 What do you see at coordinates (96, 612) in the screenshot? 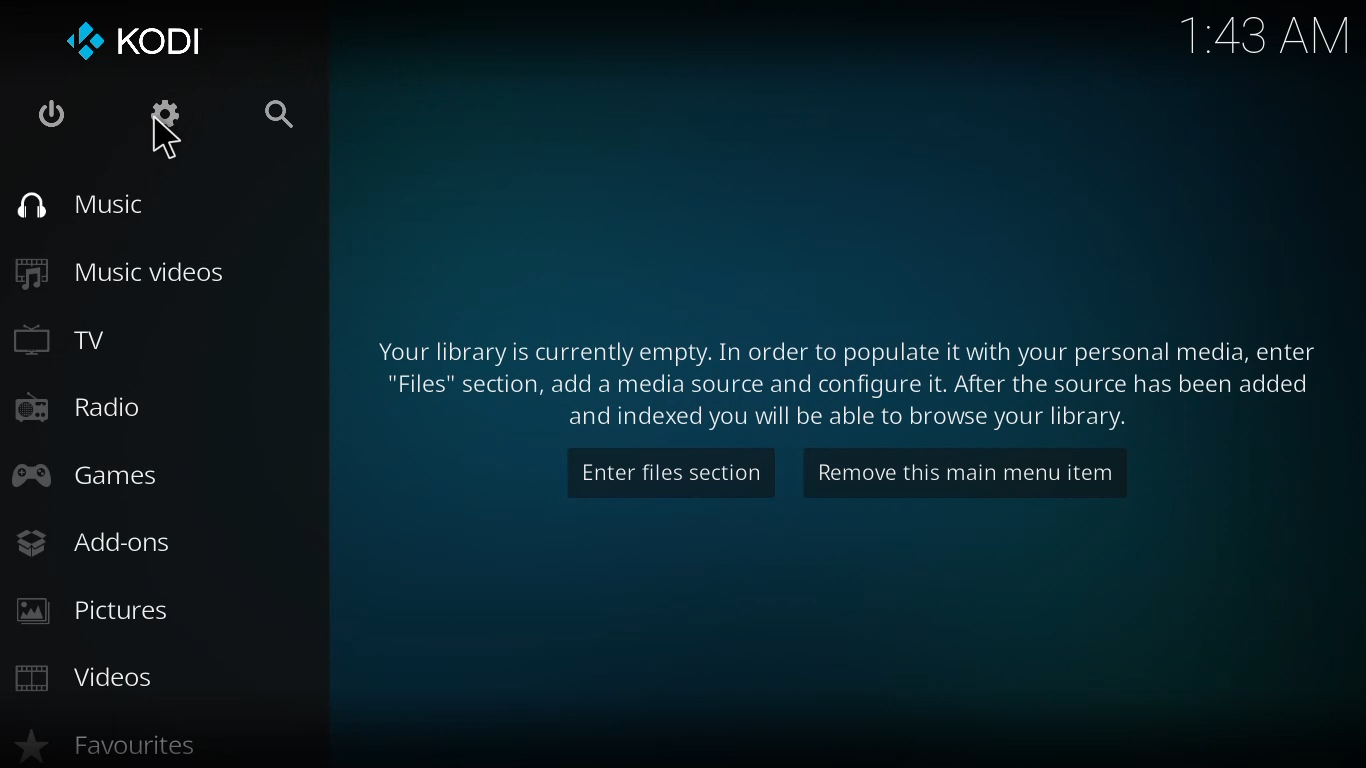
I see `pictures` at bounding box center [96, 612].